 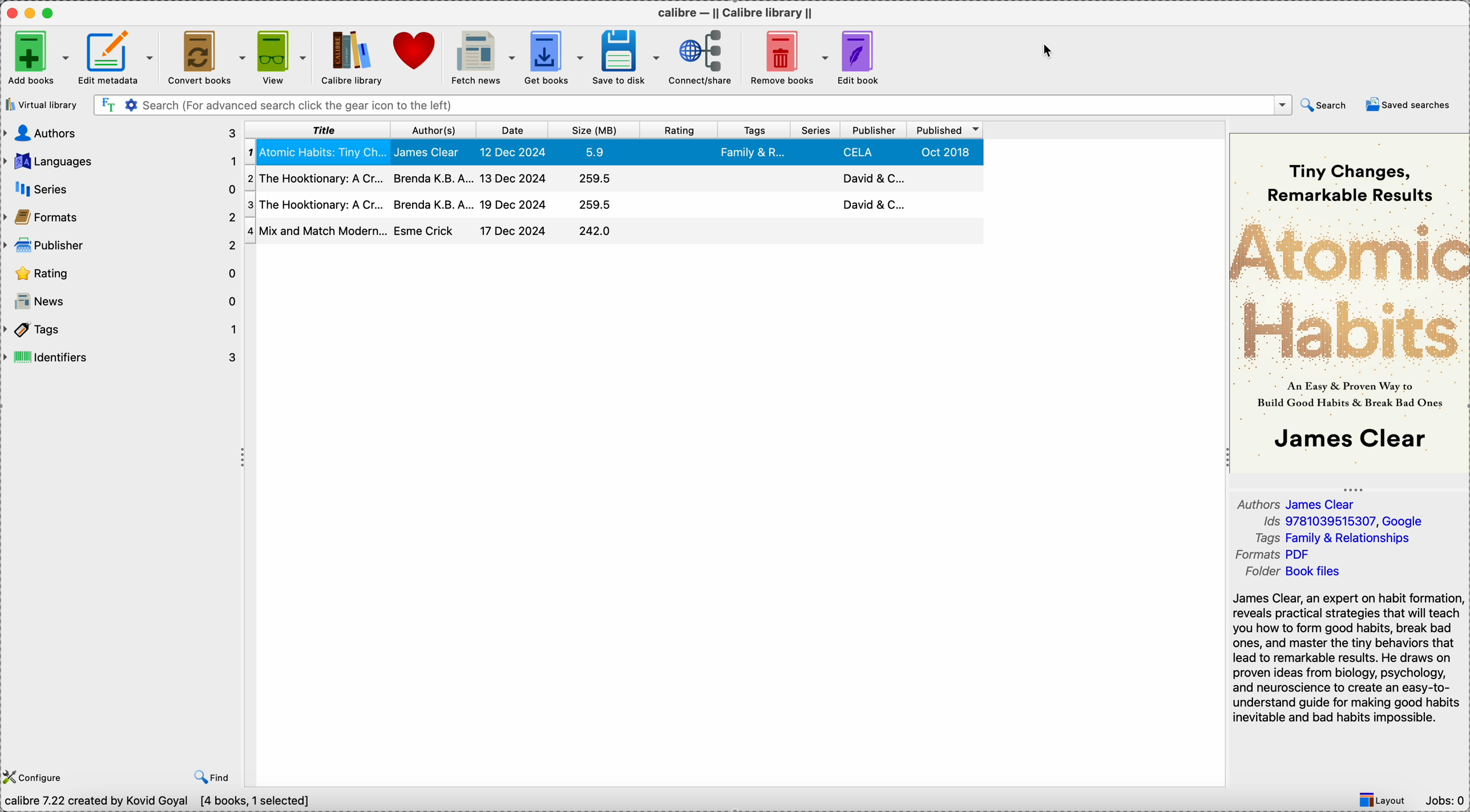 I want to click on view, so click(x=282, y=58).